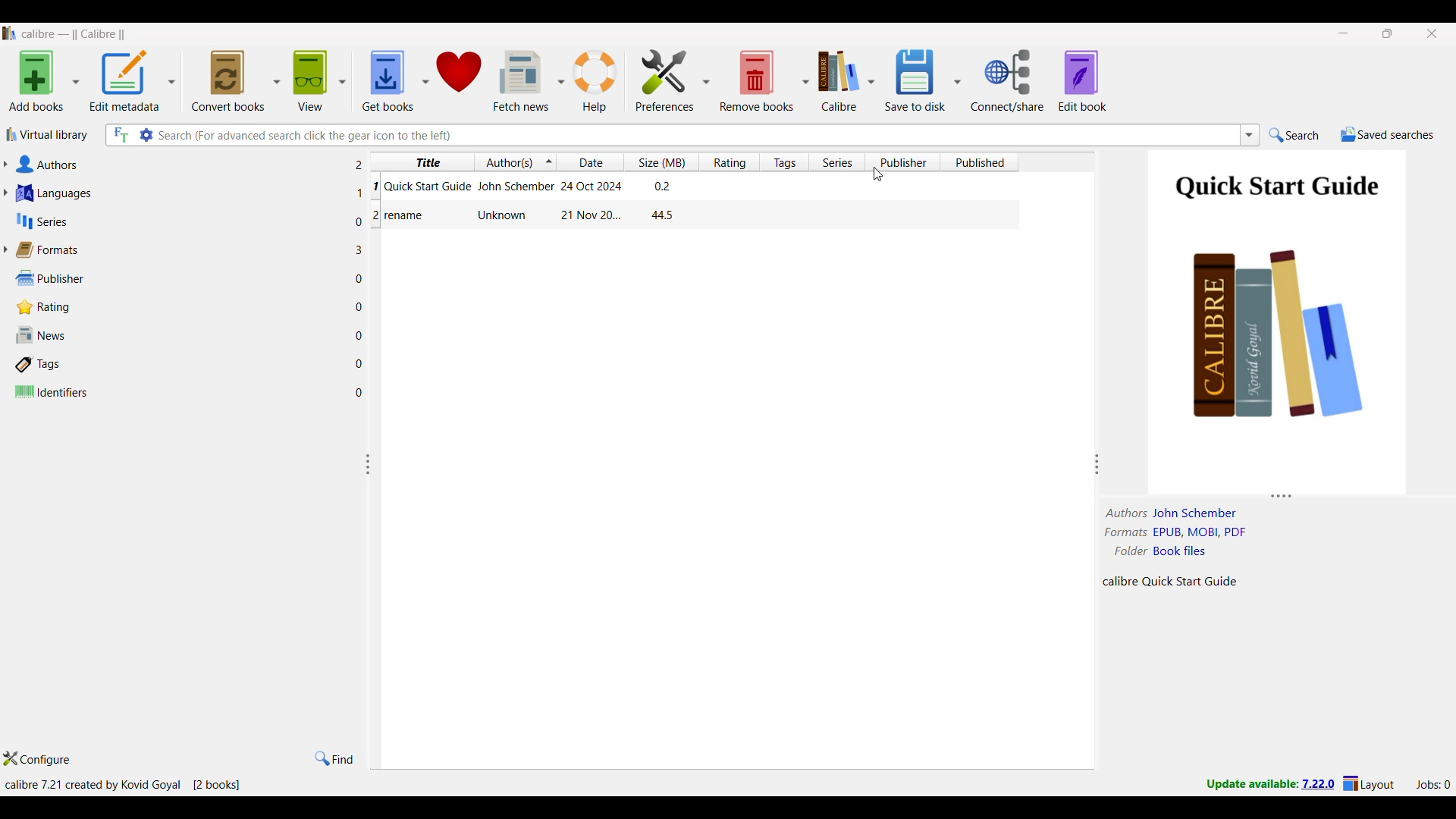 Image resolution: width=1456 pixels, height=819 pixels. Describe the element at coordinates (74, 34) in the screenshot. I see `Software name` at that location.